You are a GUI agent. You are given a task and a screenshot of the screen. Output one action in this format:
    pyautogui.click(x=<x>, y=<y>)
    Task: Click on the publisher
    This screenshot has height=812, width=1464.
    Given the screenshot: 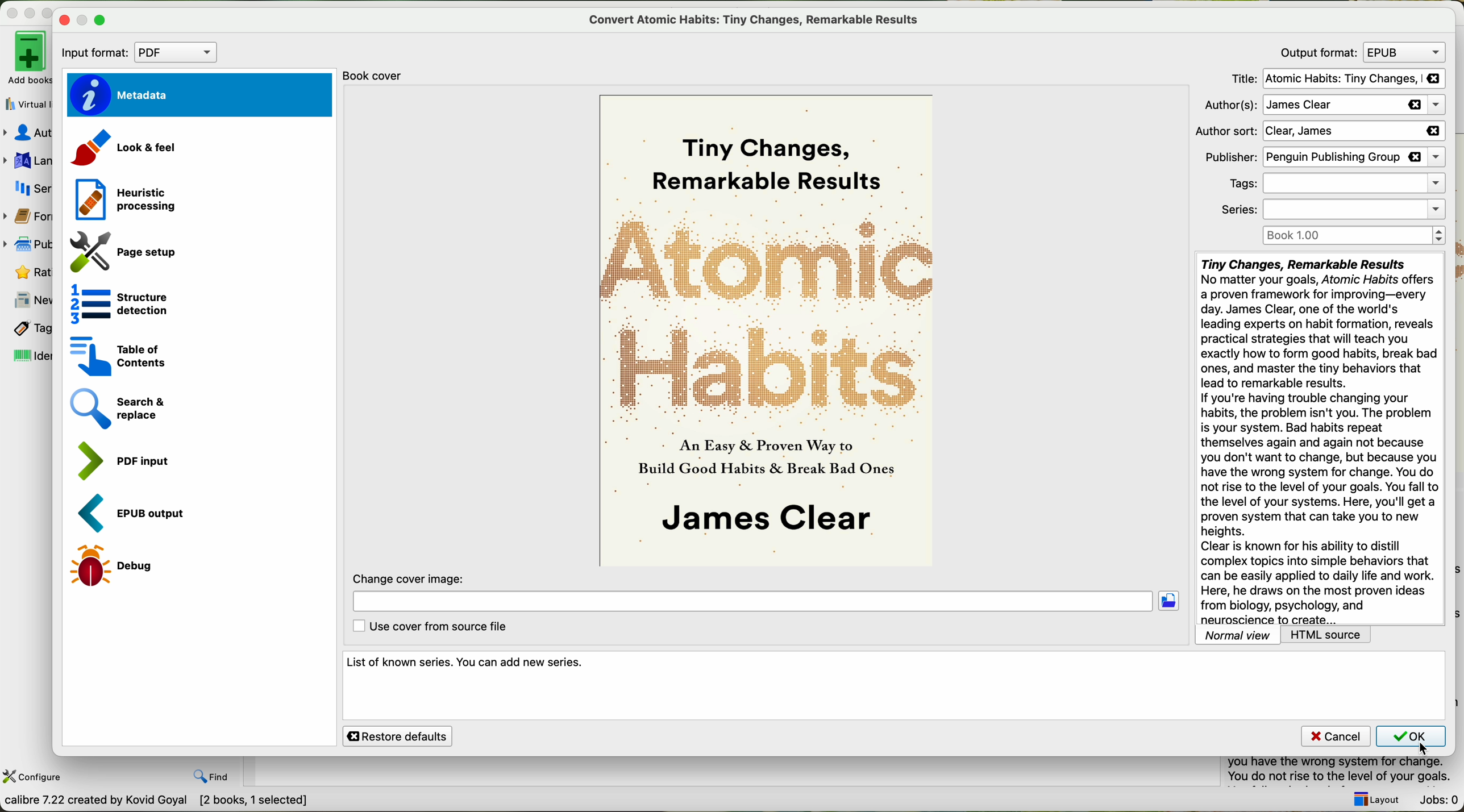 What is the action you would take?
    pyautogui.click(x=1323, y=158)
    